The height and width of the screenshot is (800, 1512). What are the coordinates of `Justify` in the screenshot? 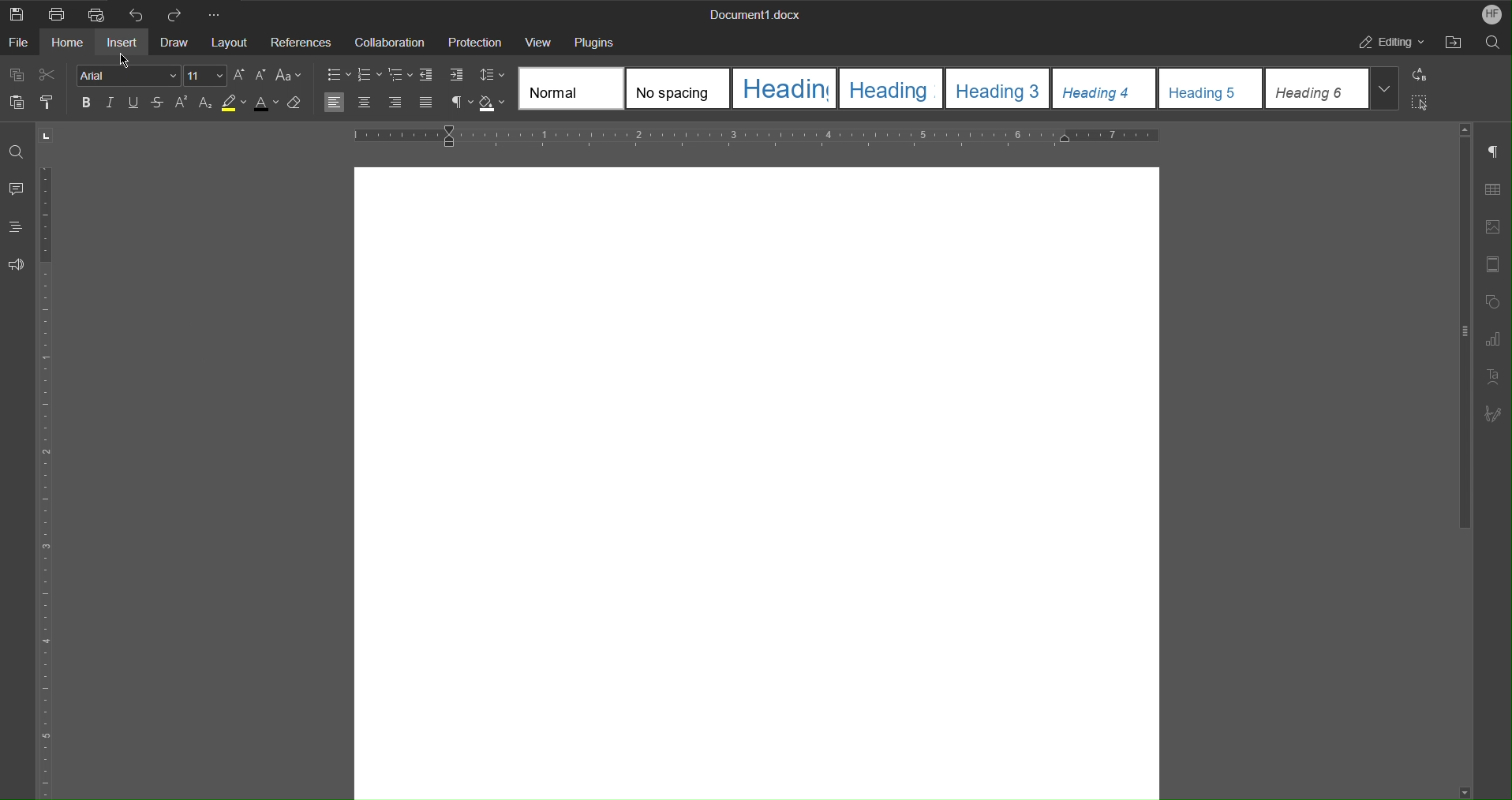 It's located at (428, 103).